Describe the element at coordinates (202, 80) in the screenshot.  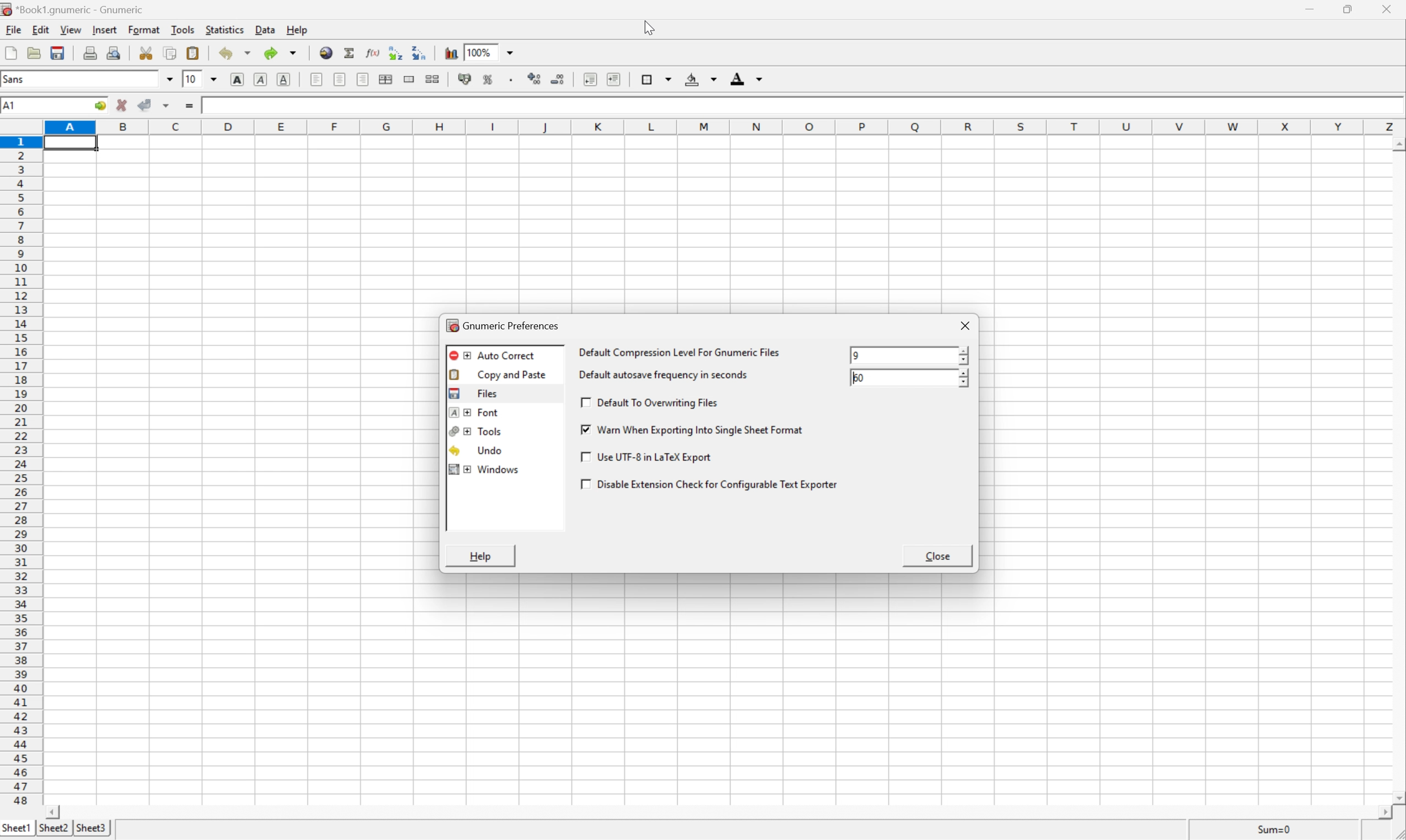
I see `Font size 10` at that location.